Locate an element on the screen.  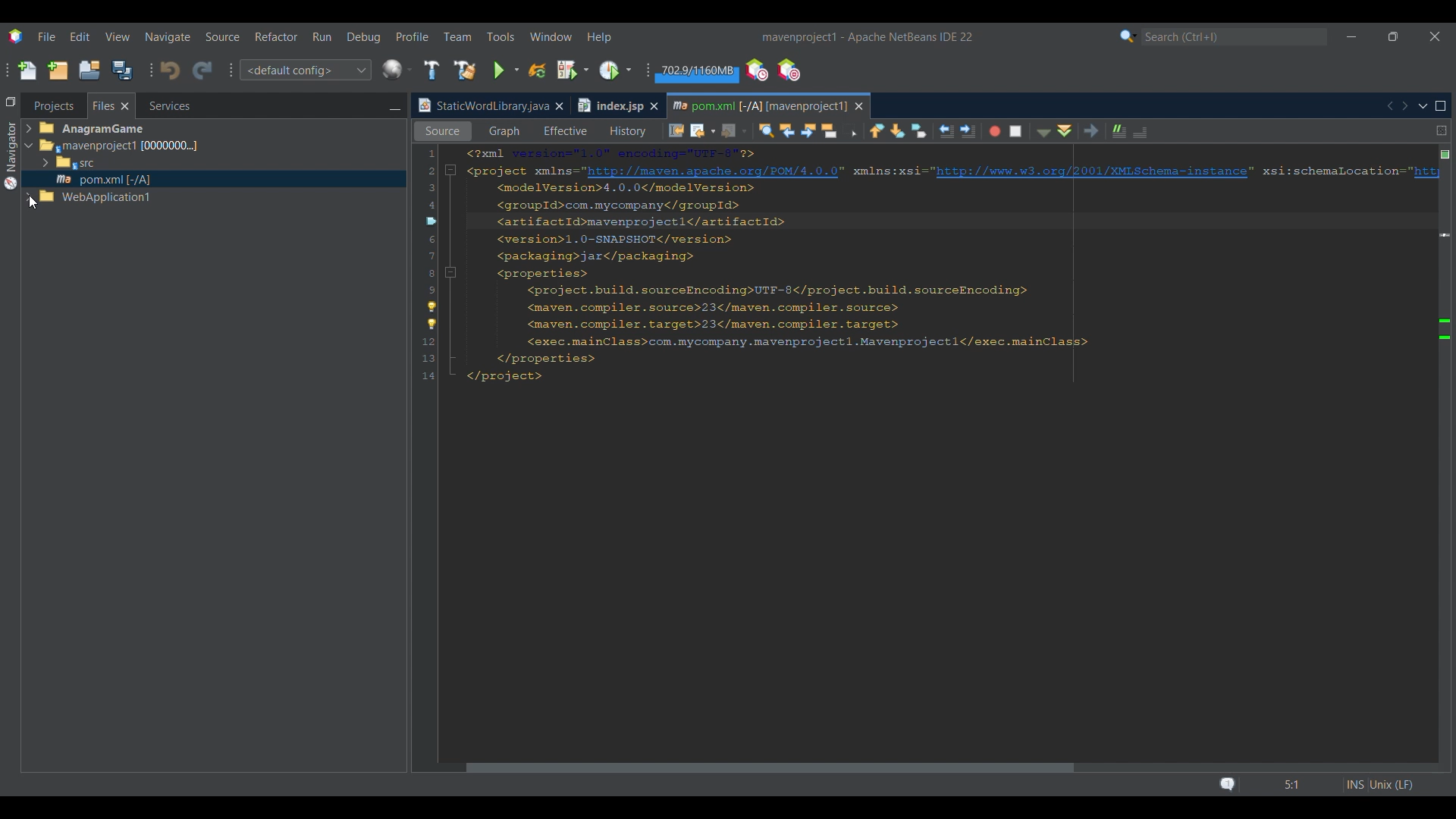
Selected tab highlighted is located at coordinates (281, 145).